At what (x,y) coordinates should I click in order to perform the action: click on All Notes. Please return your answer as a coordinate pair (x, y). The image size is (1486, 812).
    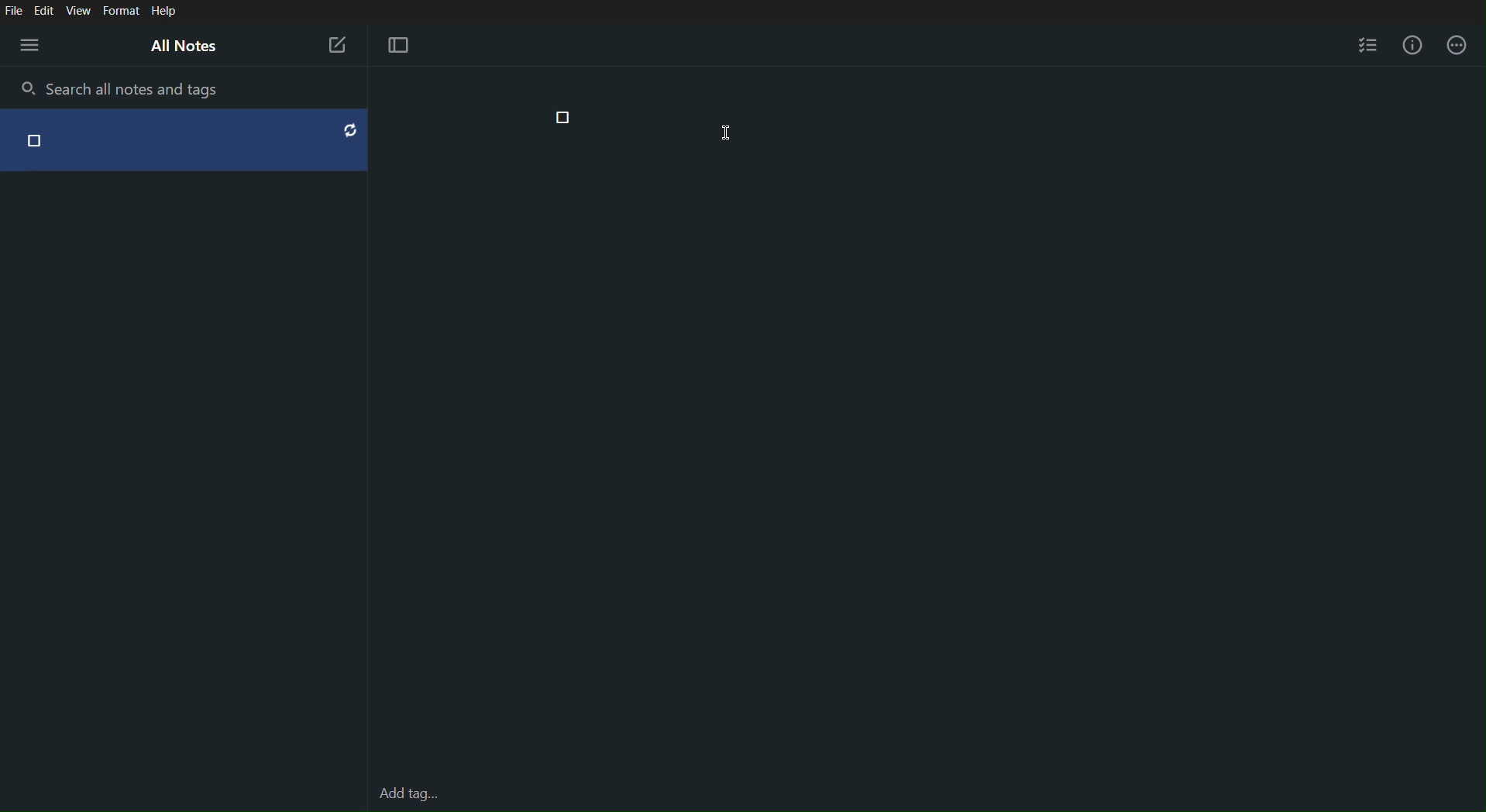
    Looking at the image, I should click on (182, 45).